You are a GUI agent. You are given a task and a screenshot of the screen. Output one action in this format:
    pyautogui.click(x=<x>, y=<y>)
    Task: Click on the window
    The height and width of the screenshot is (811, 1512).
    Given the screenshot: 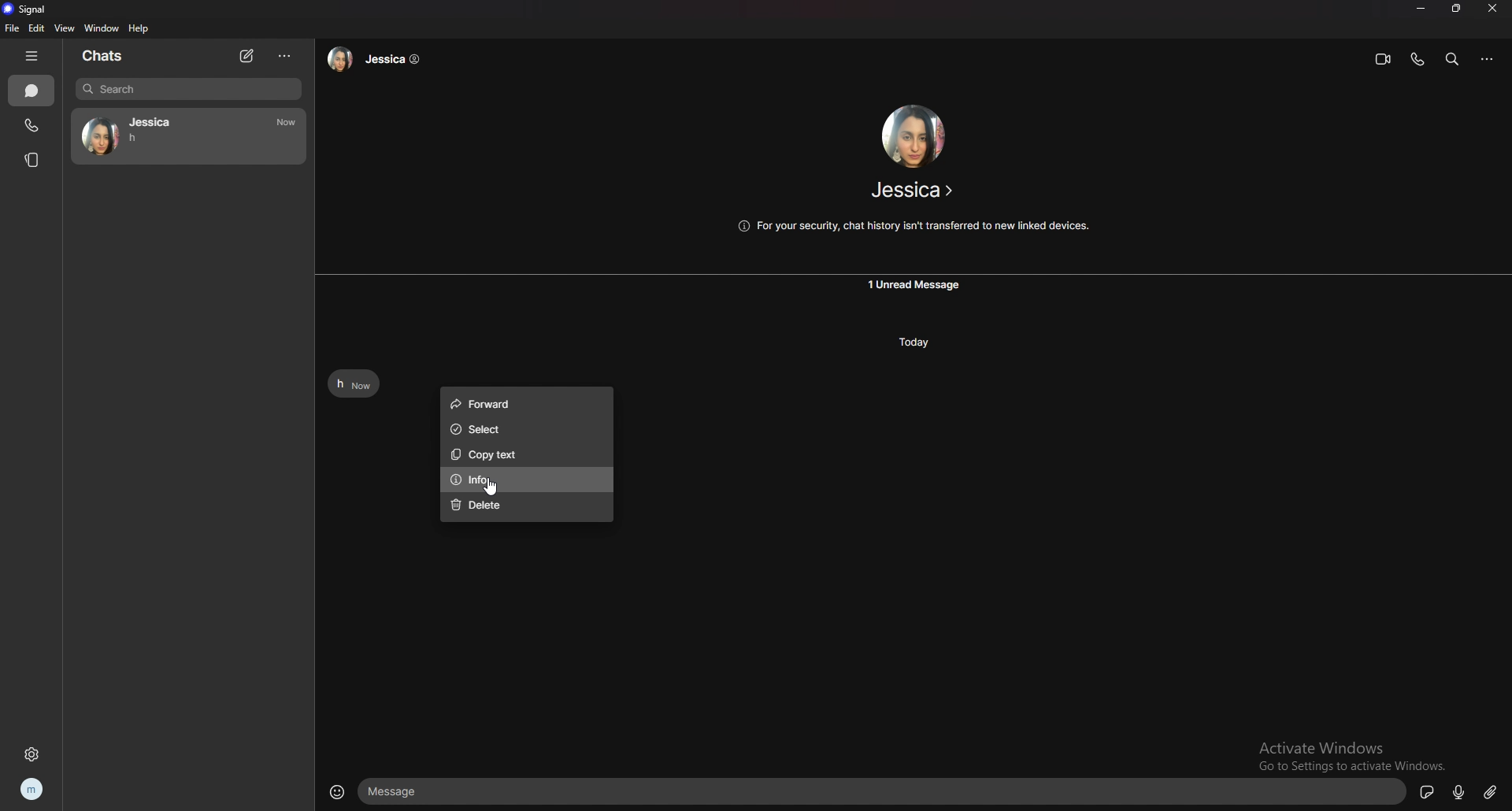 What is the action you would take?
    pyautogui.click(x=102, y=28)
    